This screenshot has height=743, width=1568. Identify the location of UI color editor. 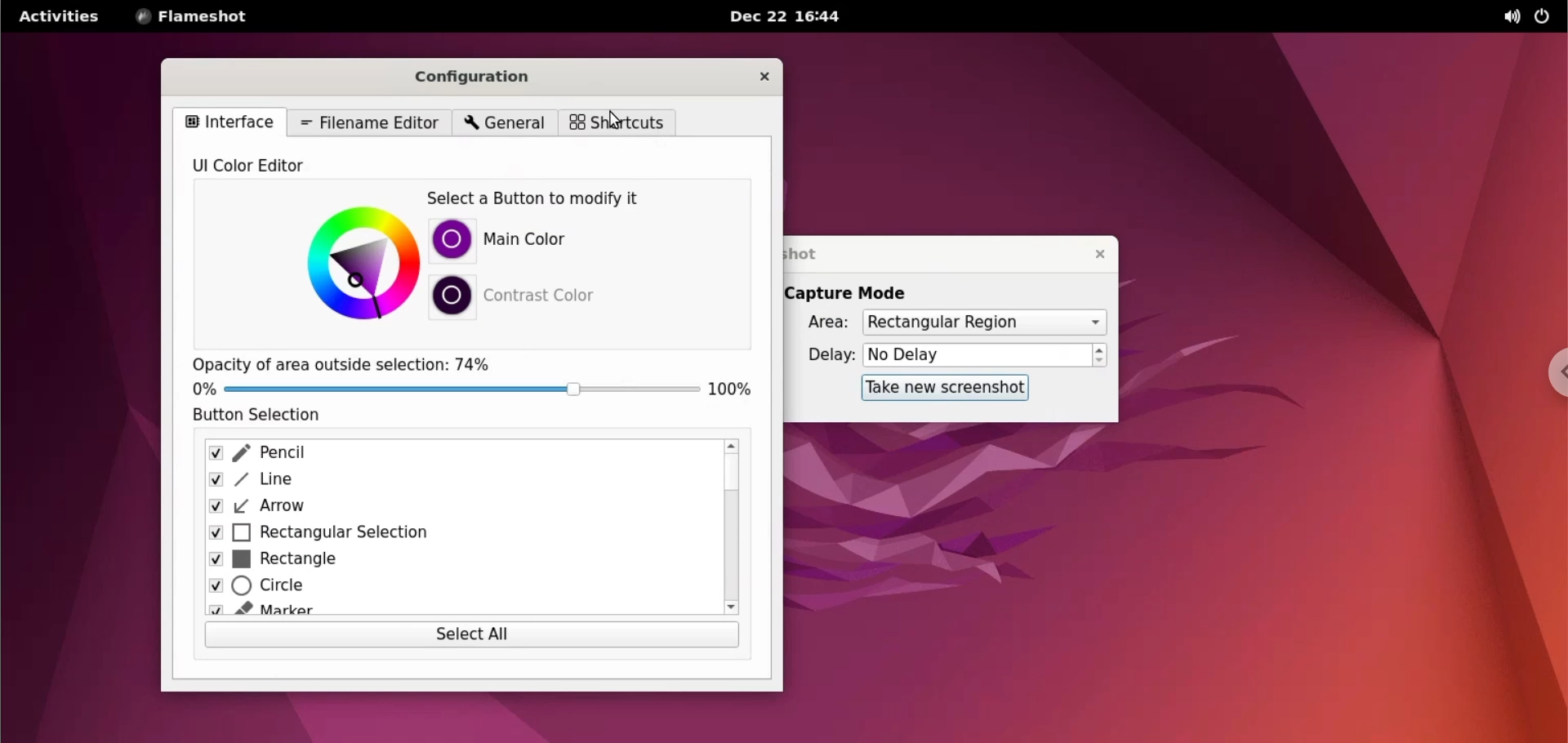
(264, 165).